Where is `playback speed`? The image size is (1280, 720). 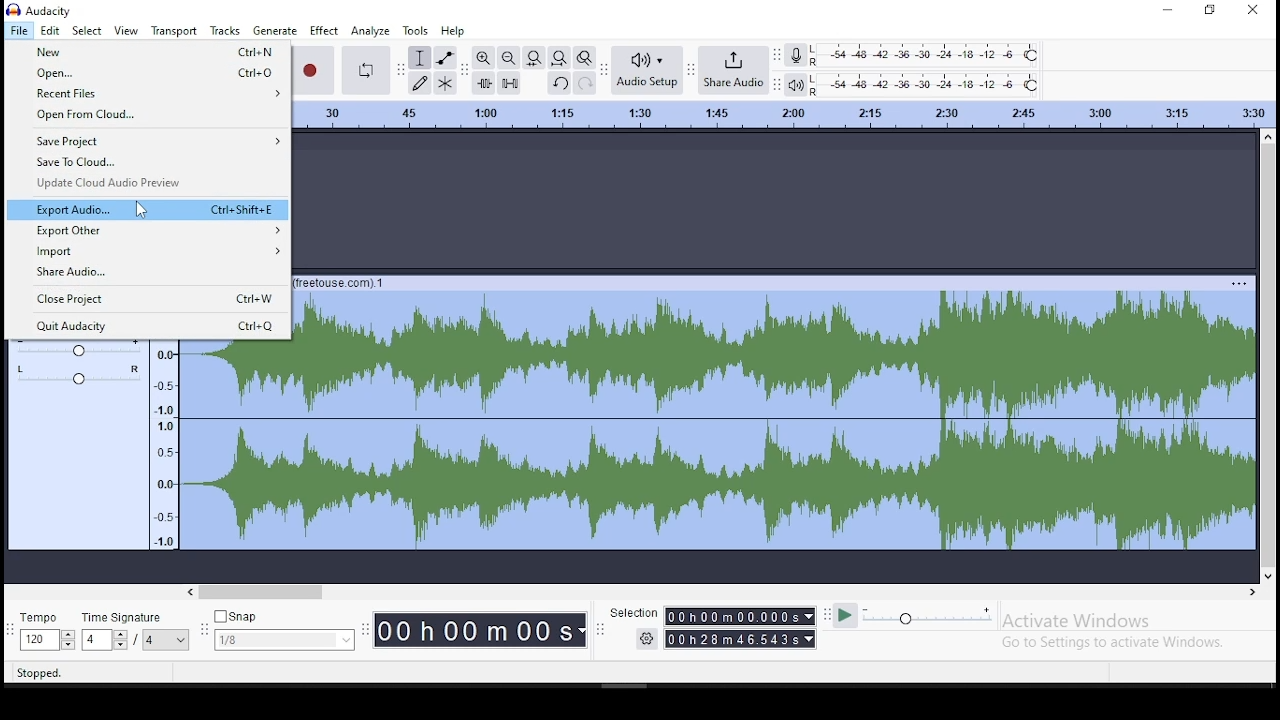
playback speed is located at coordinates (927, 616).